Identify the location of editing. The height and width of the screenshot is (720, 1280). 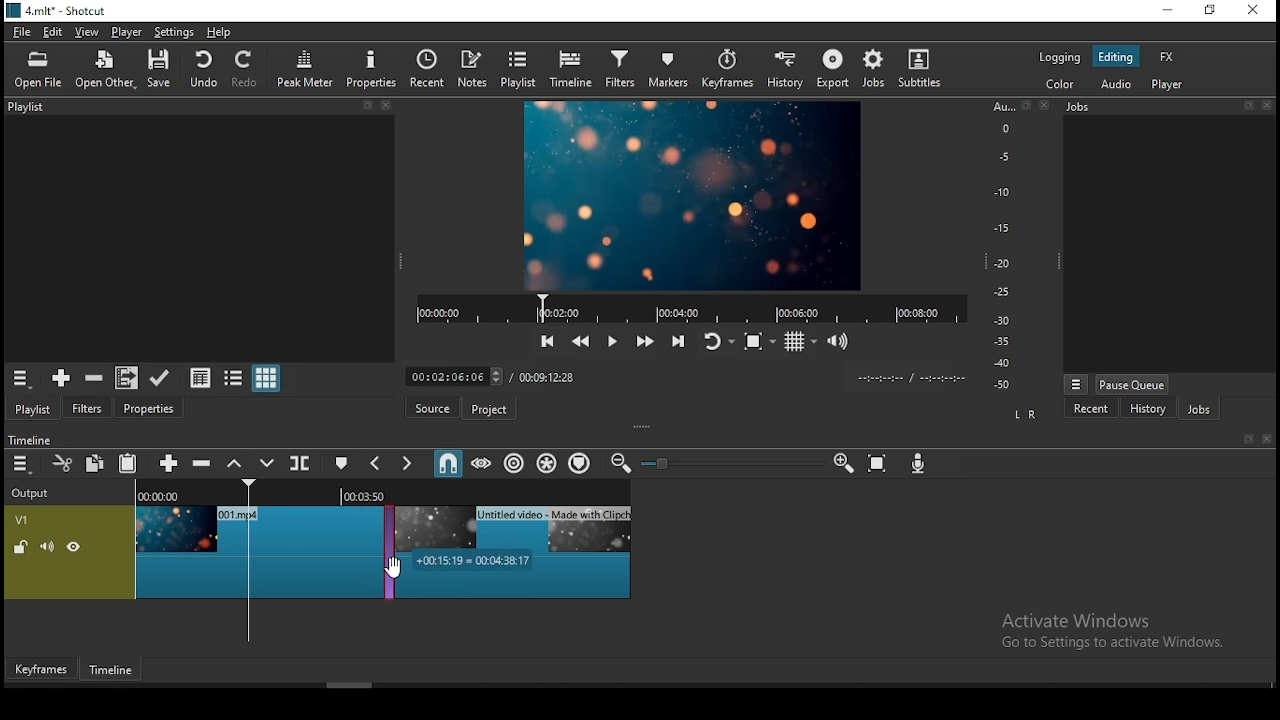
(1115, 56).